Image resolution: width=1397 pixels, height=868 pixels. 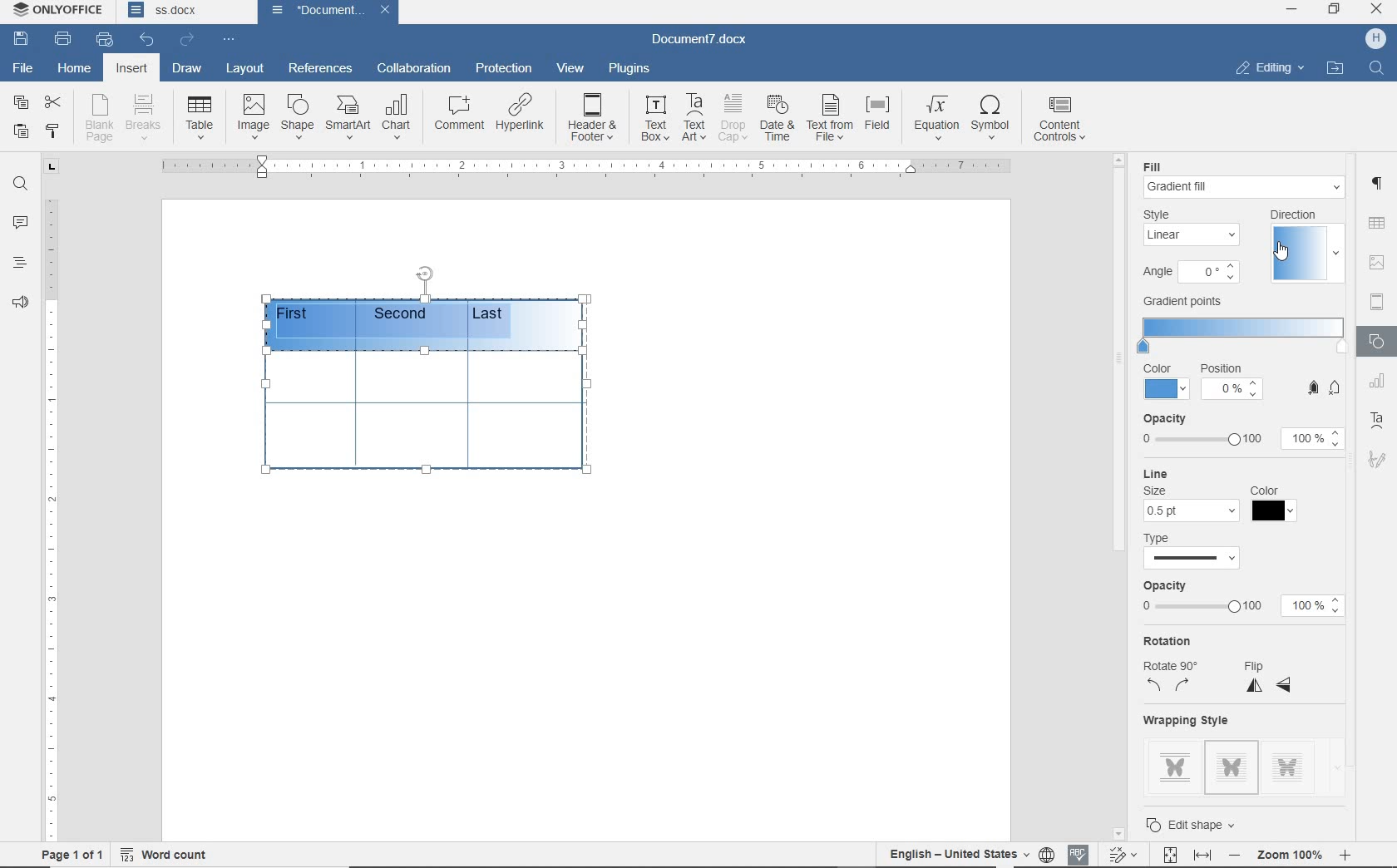 I want to click on OPEN FILE LOCATION, so click(x=1336, y=68).